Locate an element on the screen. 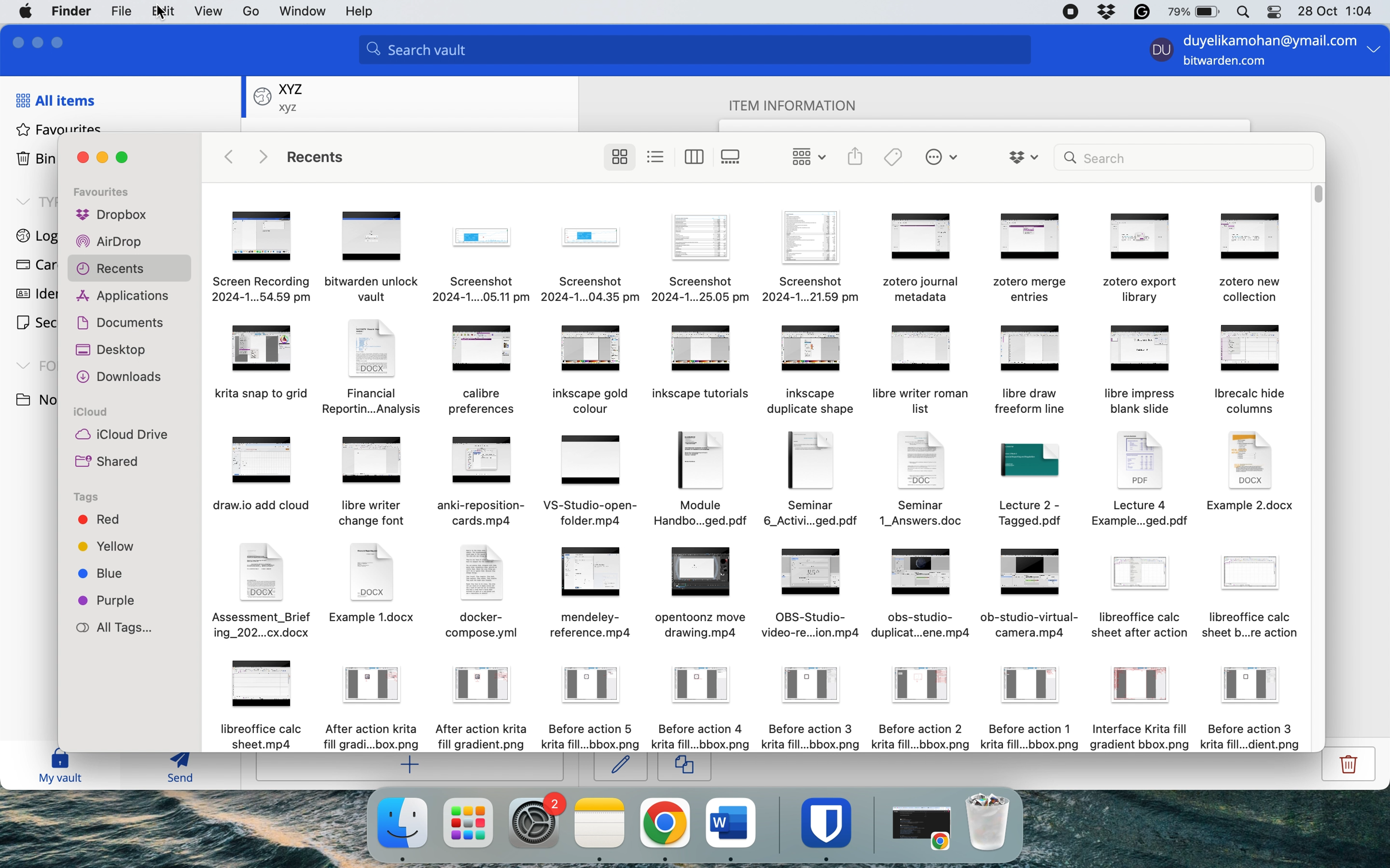 The width and height of the screenshot is (1390, 868). finder is located at coordinates (400, 823).